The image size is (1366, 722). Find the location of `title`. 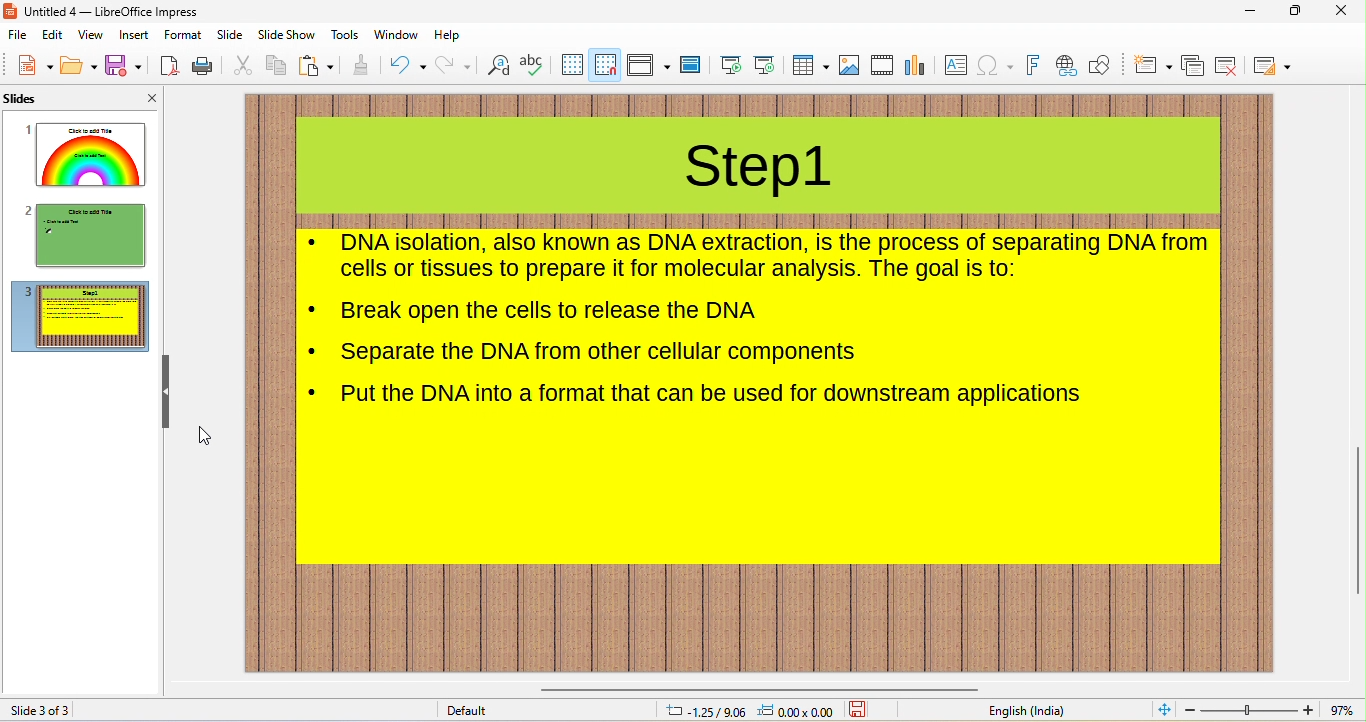

title is located at coordinates (760, 171).